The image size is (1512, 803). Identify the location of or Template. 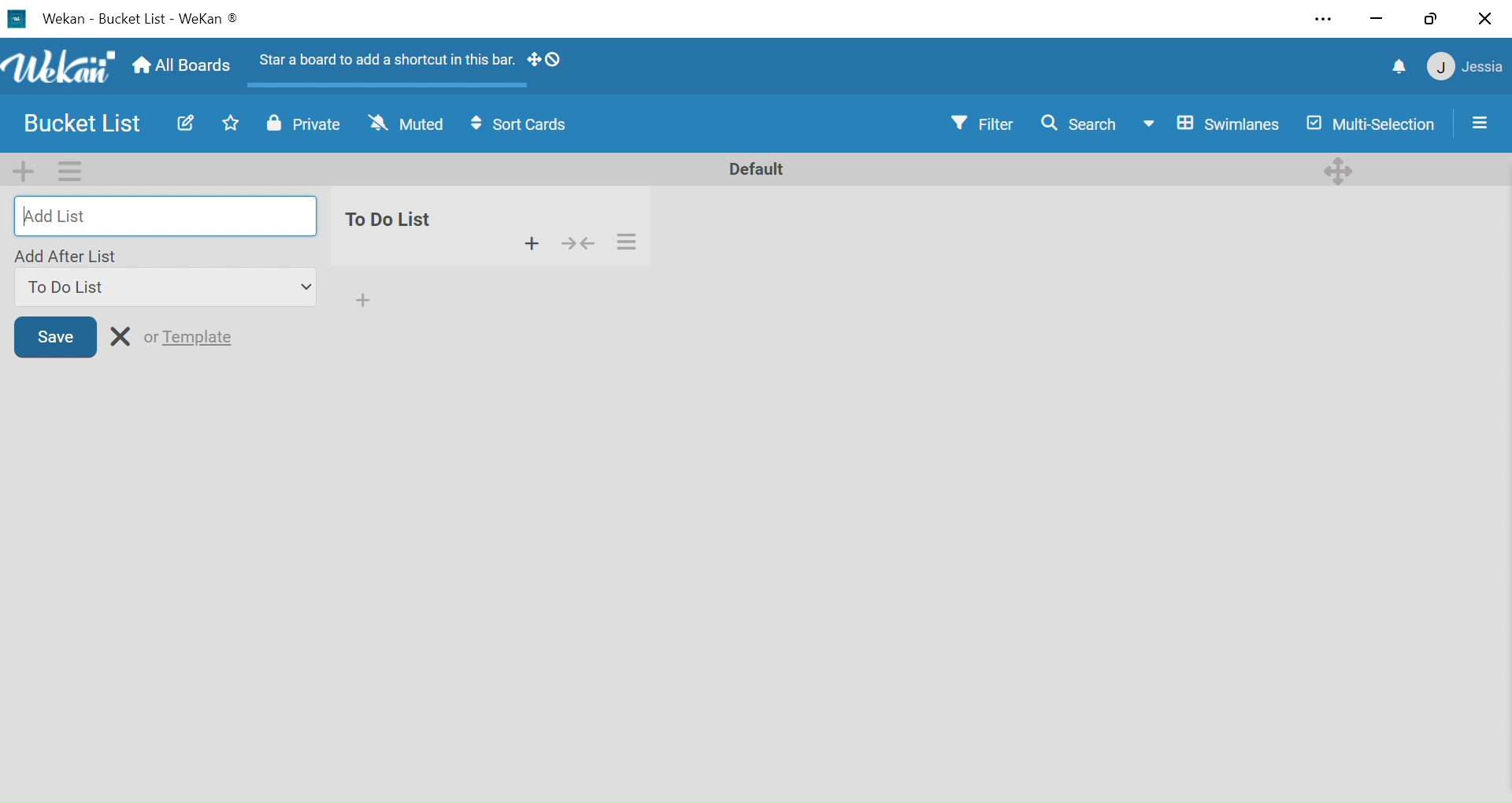
(191, 335).